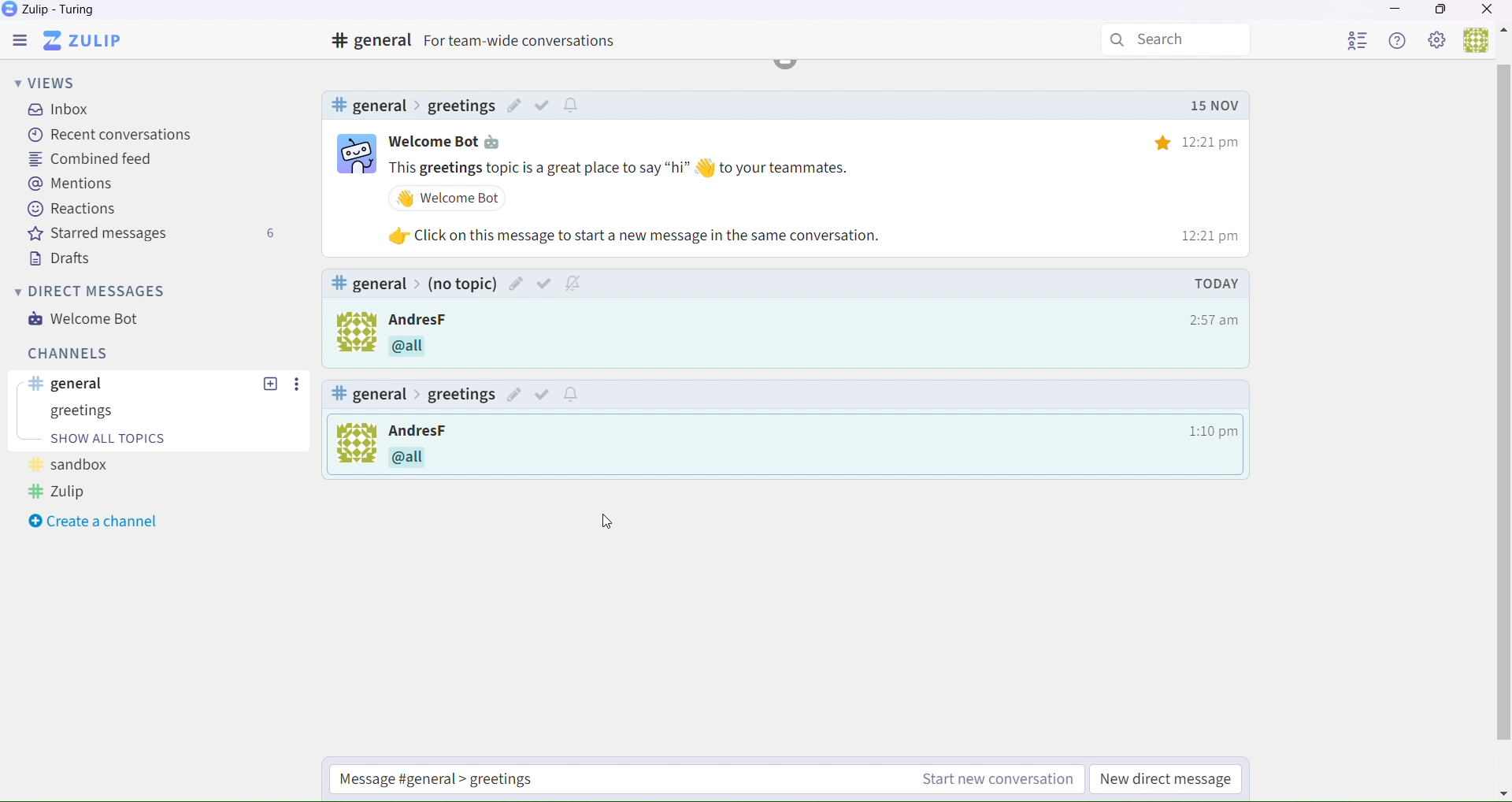 The image size is (1512, 802). I want to click on horizontal scroll bar, so click(1503, 403).